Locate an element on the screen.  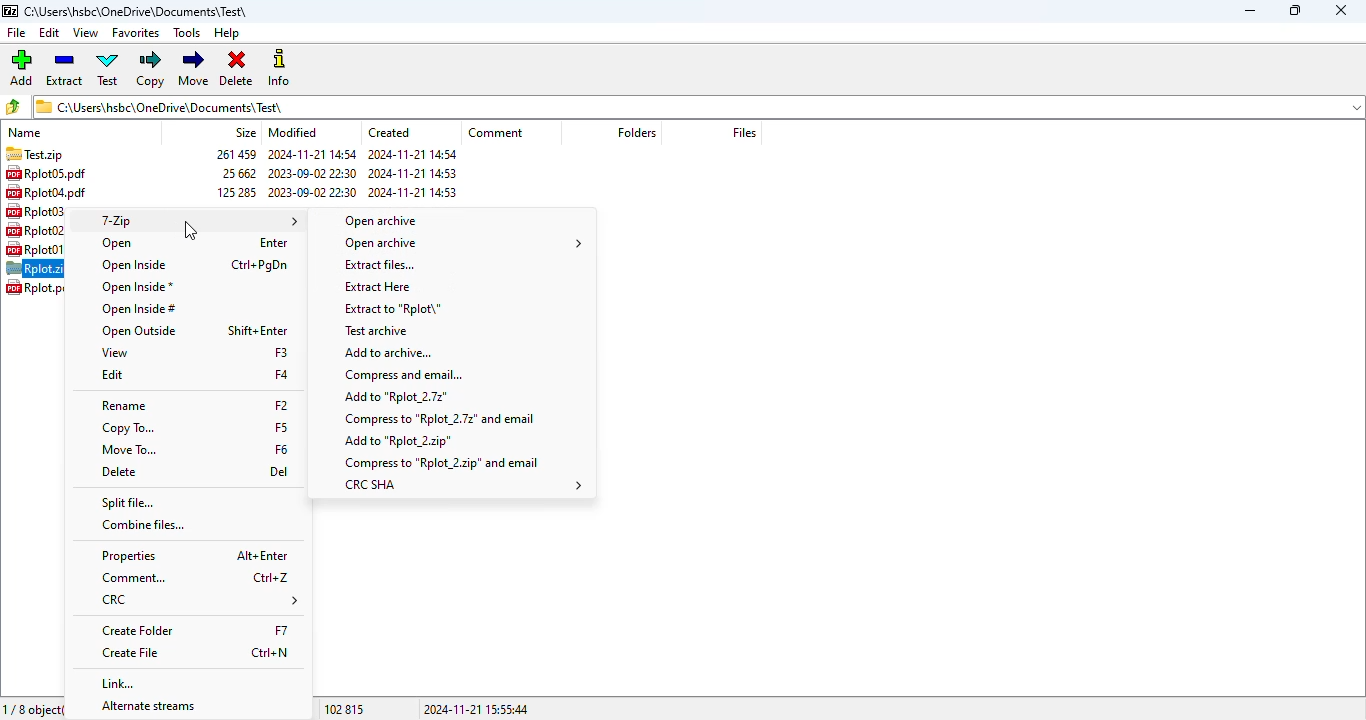
folders is located at coordinates (636, 133).